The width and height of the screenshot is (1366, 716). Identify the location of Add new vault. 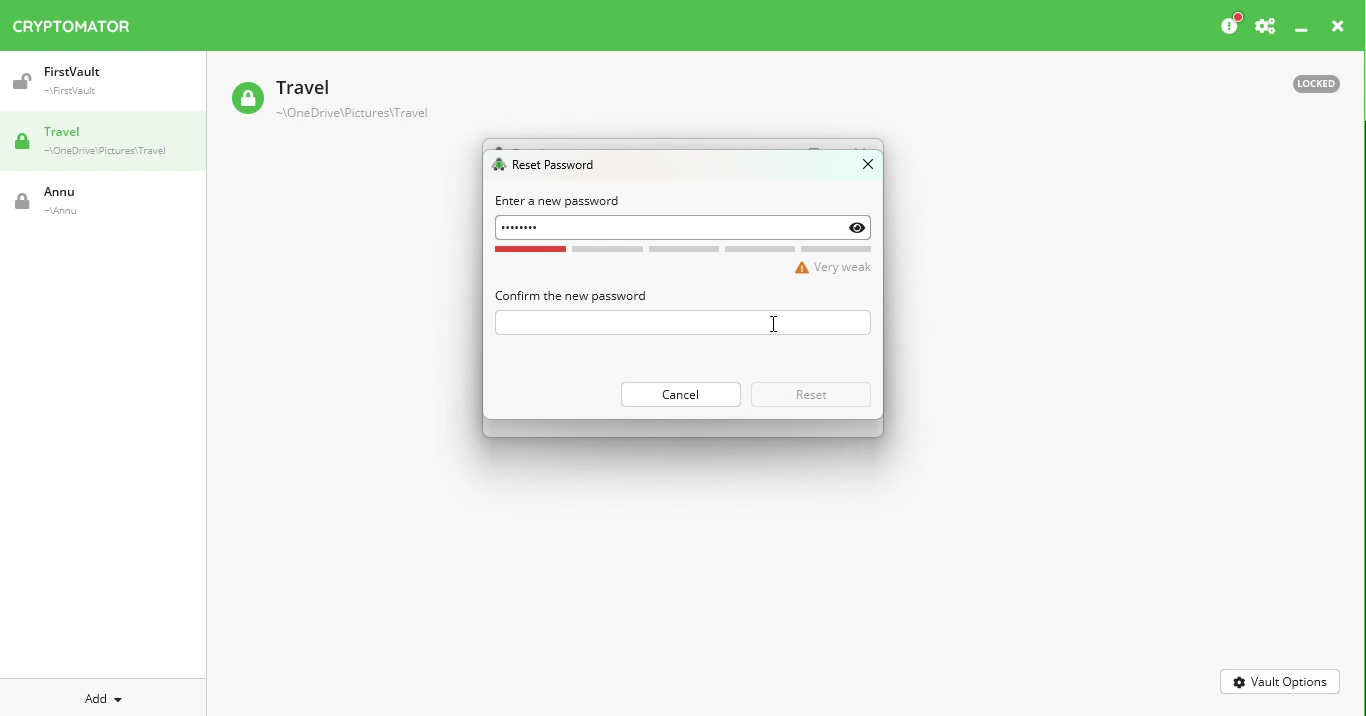
(104, 696).